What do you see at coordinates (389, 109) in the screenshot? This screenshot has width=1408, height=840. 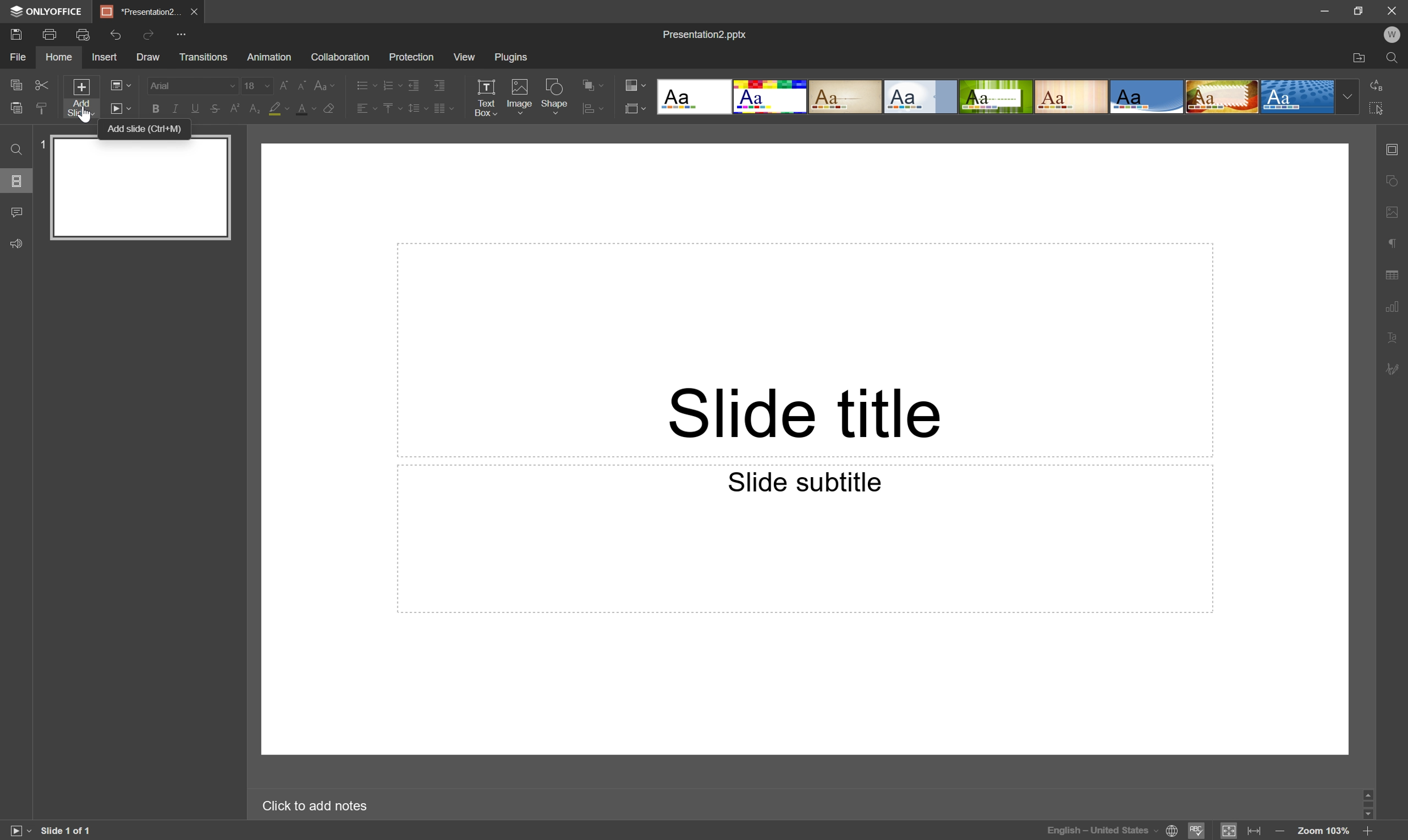 I see `Vertical align` at bounding box center [389, 109].